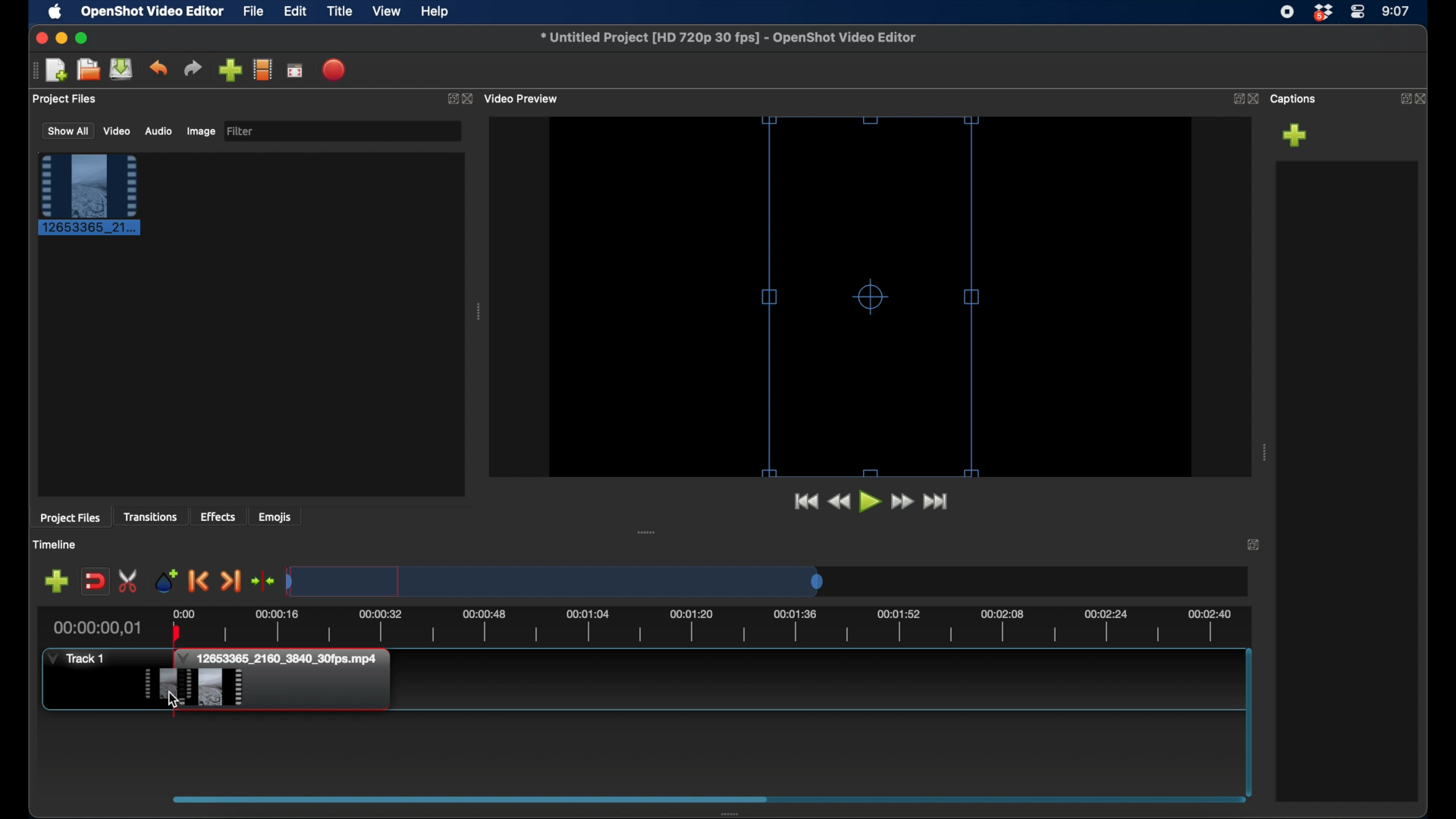 The width and height of the screenshot is (1456, 819). I want to click on video preview, so click(525, 97).